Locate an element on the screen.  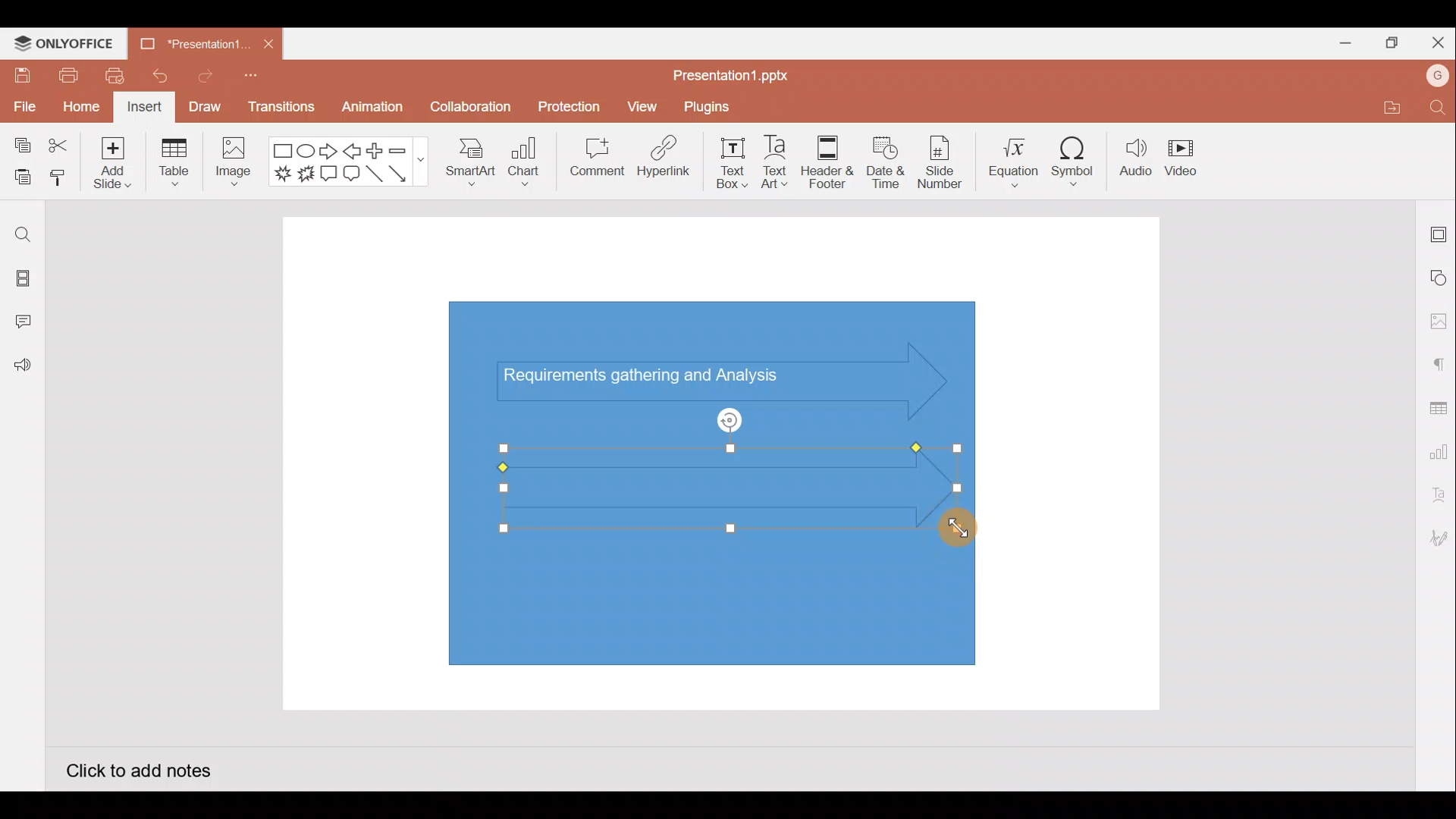
Rectangular callout is located at coordinates (329, 174).